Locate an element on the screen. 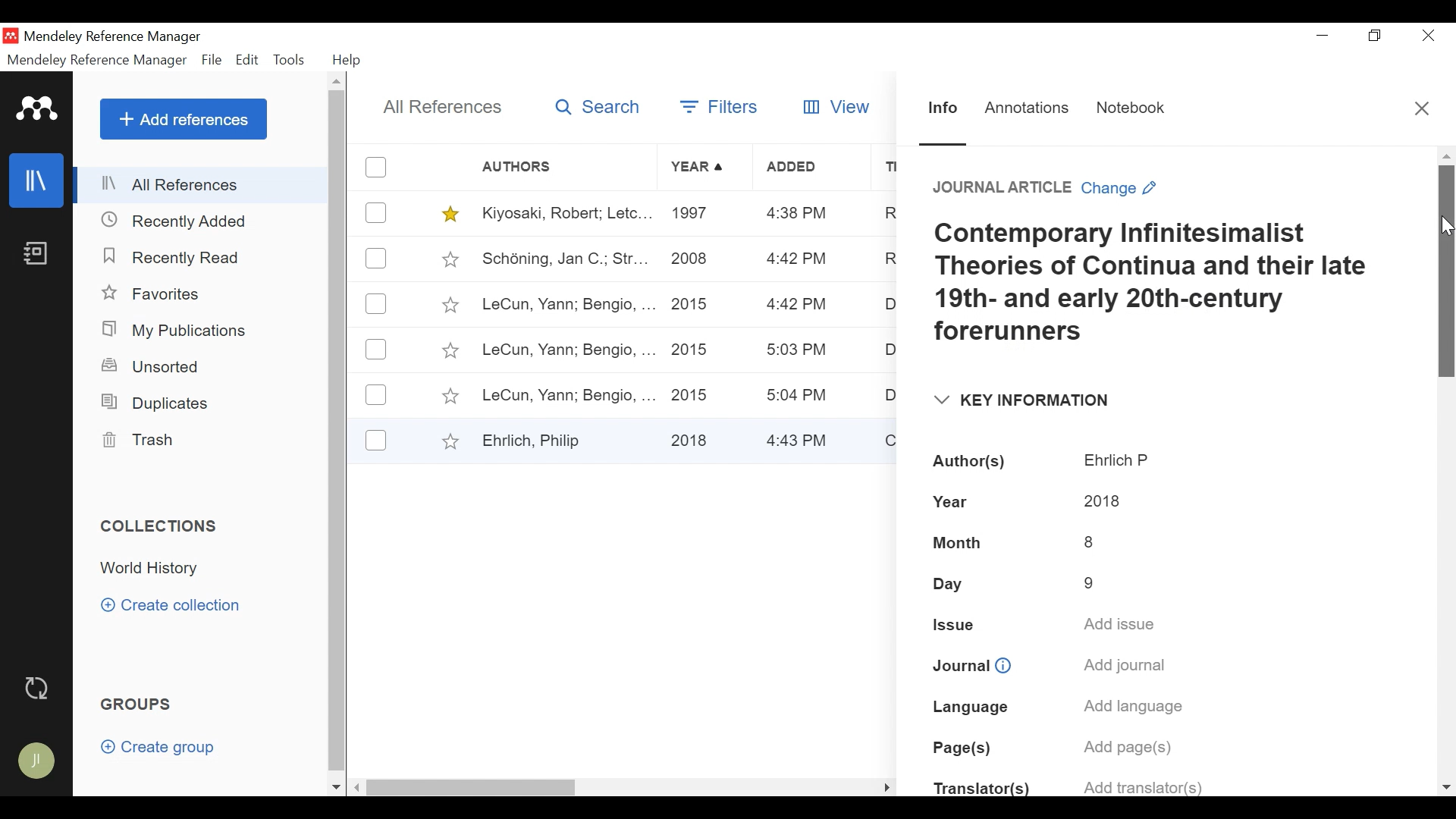 This screenshot has width=1456, height=819. Search is located at coordinates (595, 109).